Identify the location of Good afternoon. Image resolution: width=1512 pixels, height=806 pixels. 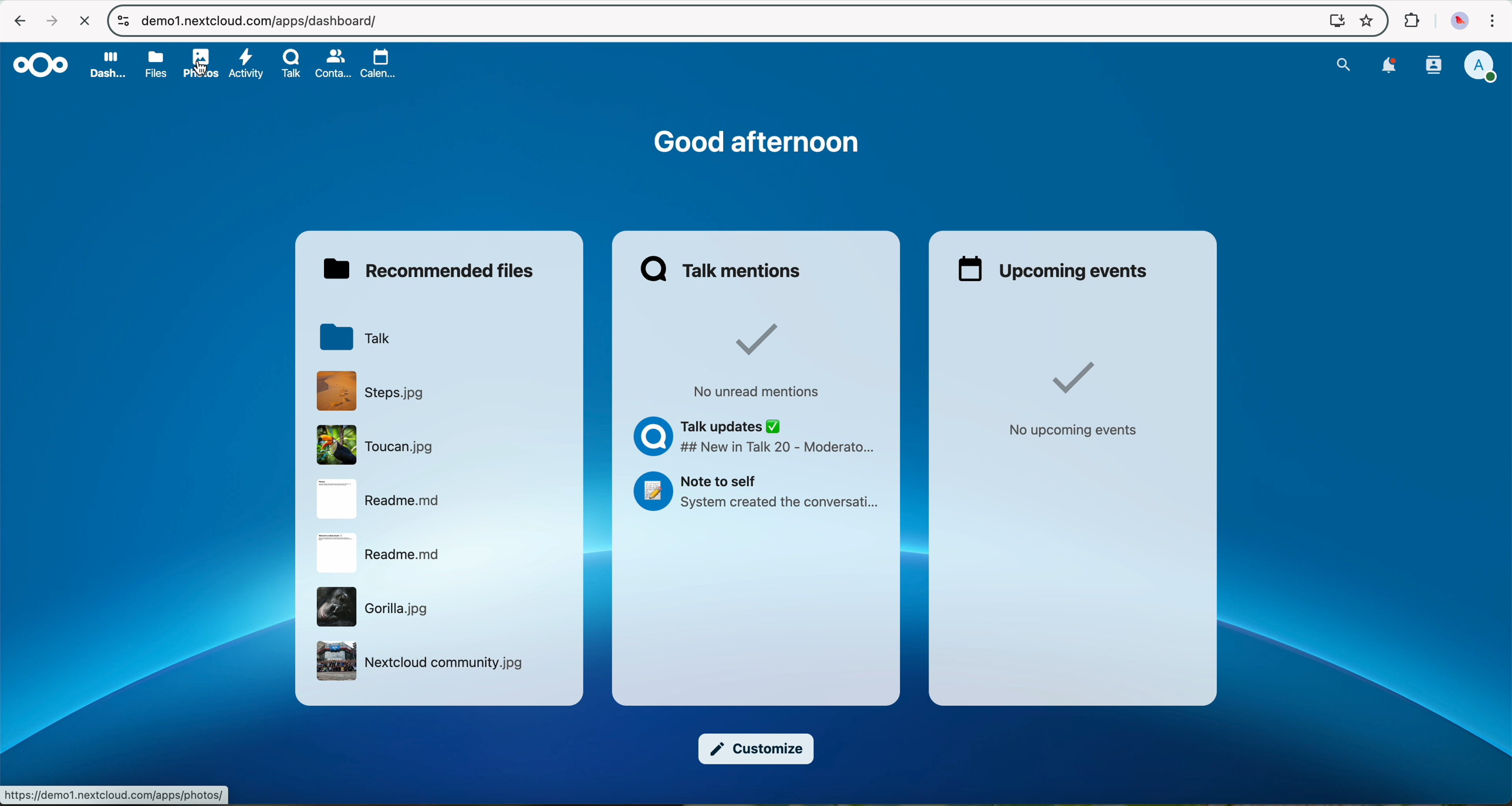
(756, 138).